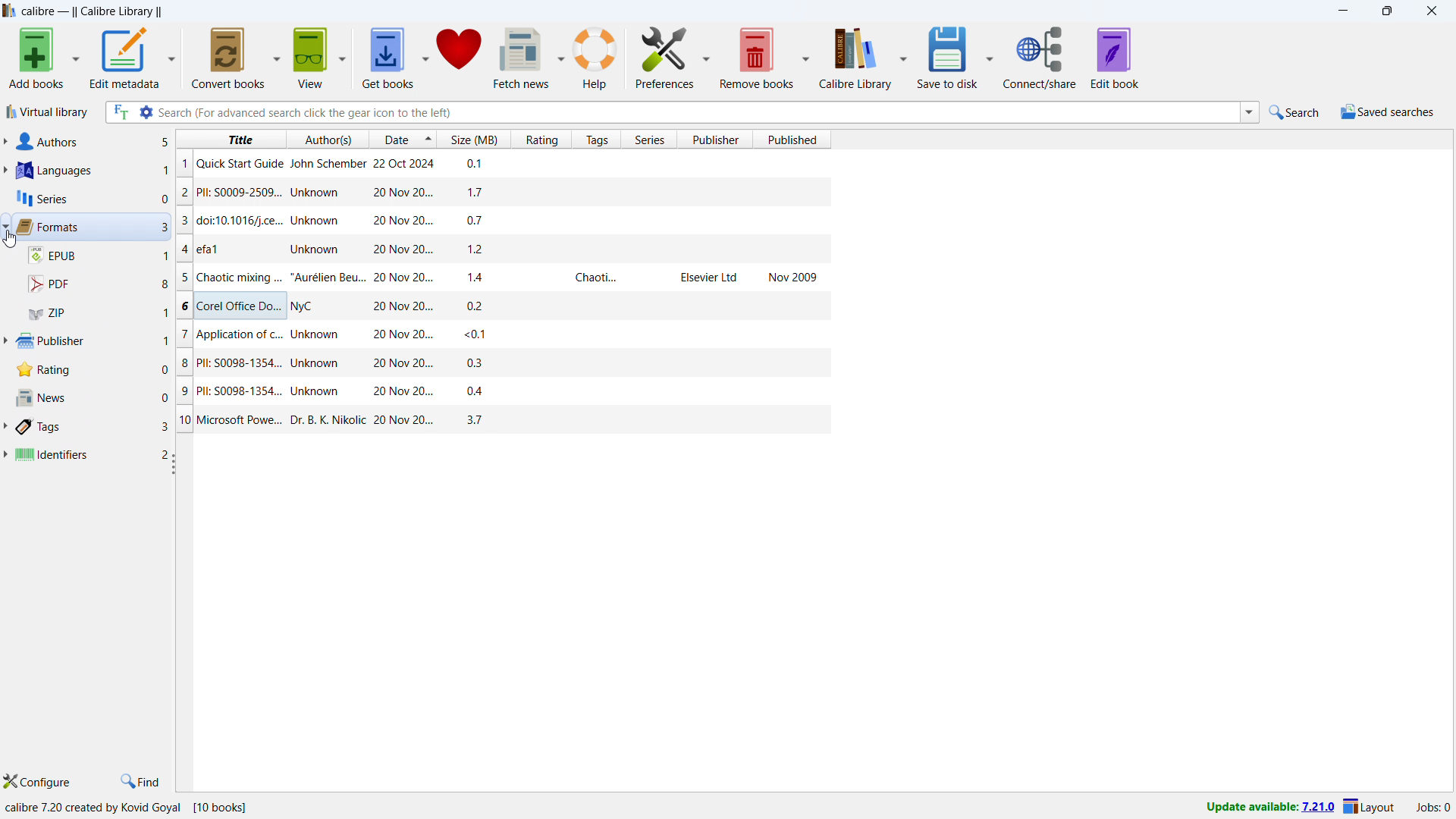 The height and width of the screenshot is (819, 1456). What do you see at coordinates (714, 139) in the screenshot?
I see `sort by publisher` at bounding box center [714, 139].